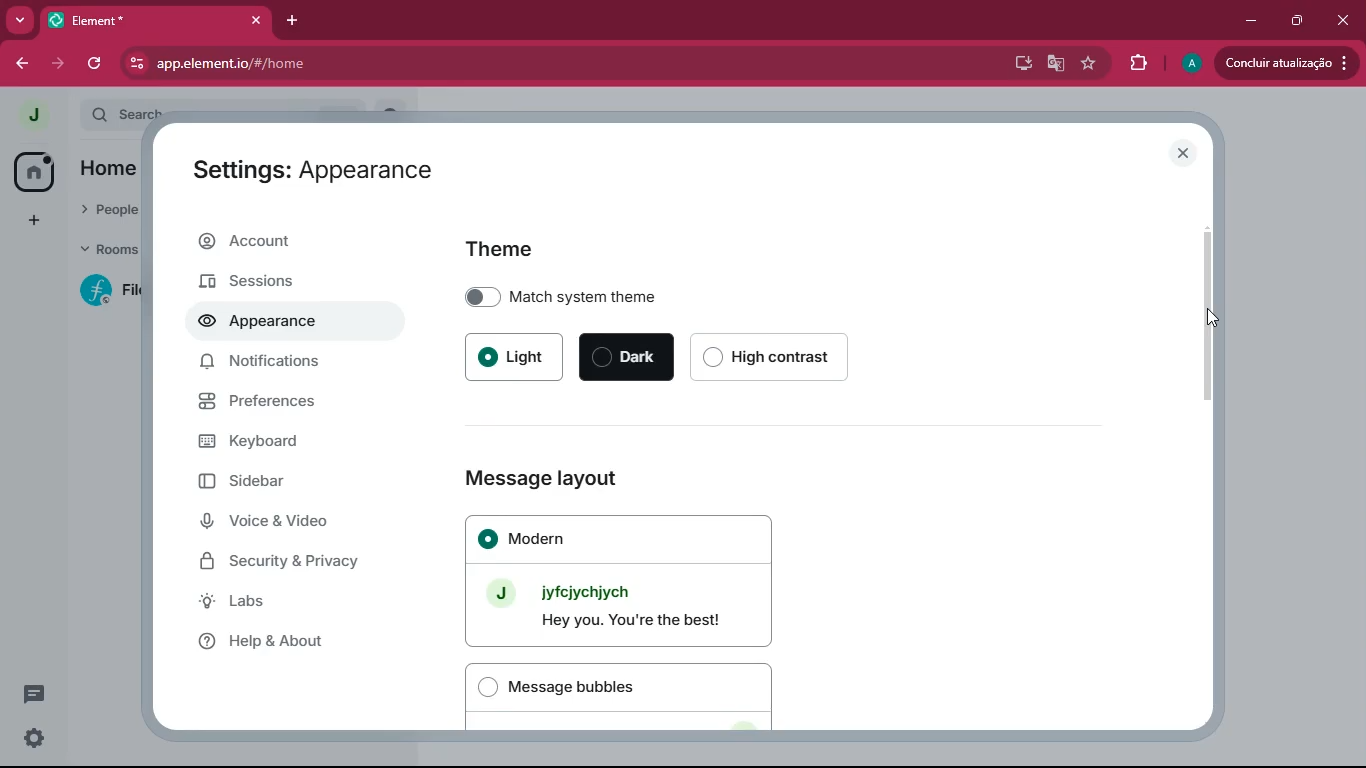  What do you see at coordinates (139, 21) in the screenshot?
I see `Element*` at bounding box center [139, 21].